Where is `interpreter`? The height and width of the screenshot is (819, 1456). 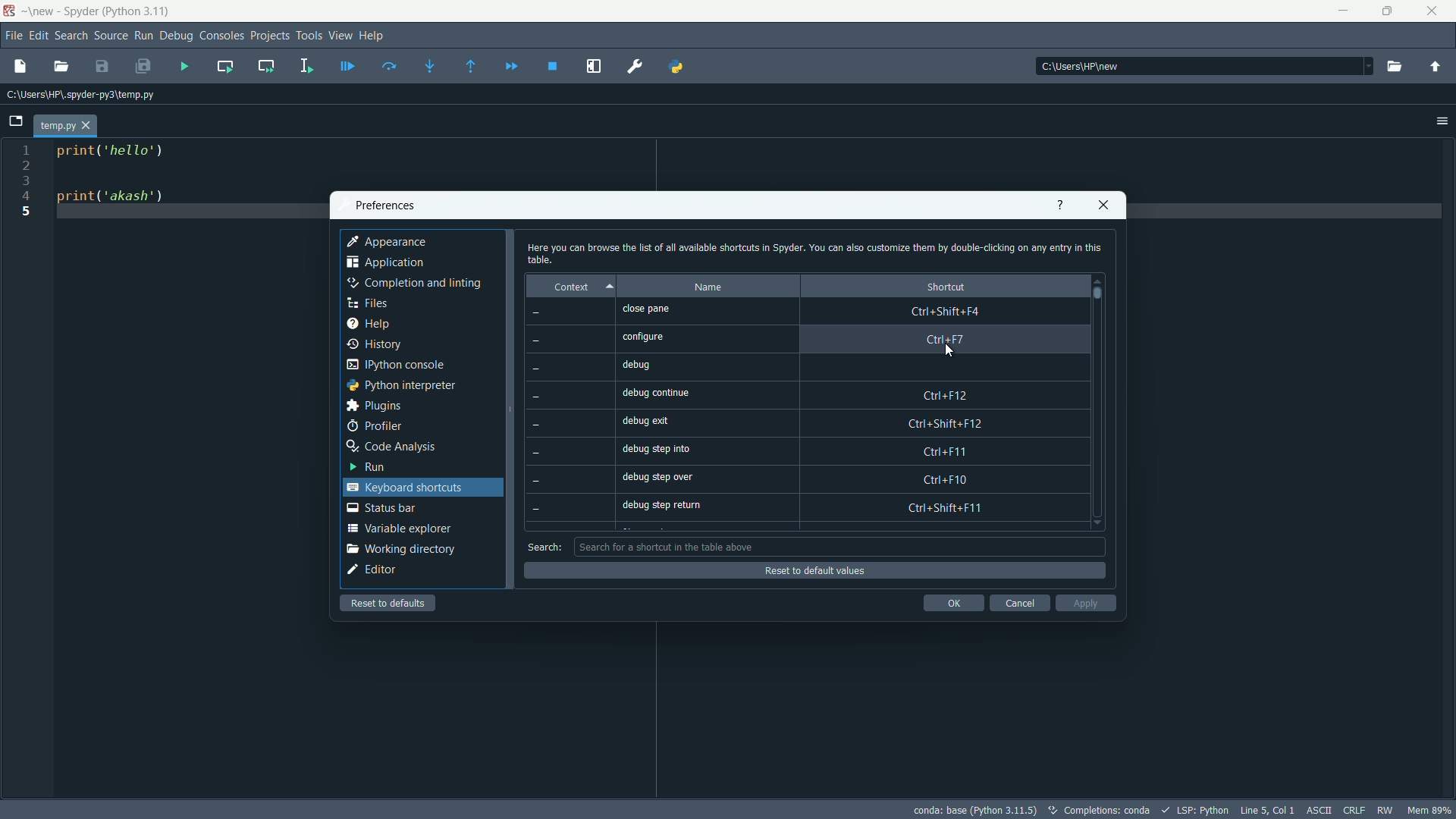 interpreter is located at coordinates (974, 810).